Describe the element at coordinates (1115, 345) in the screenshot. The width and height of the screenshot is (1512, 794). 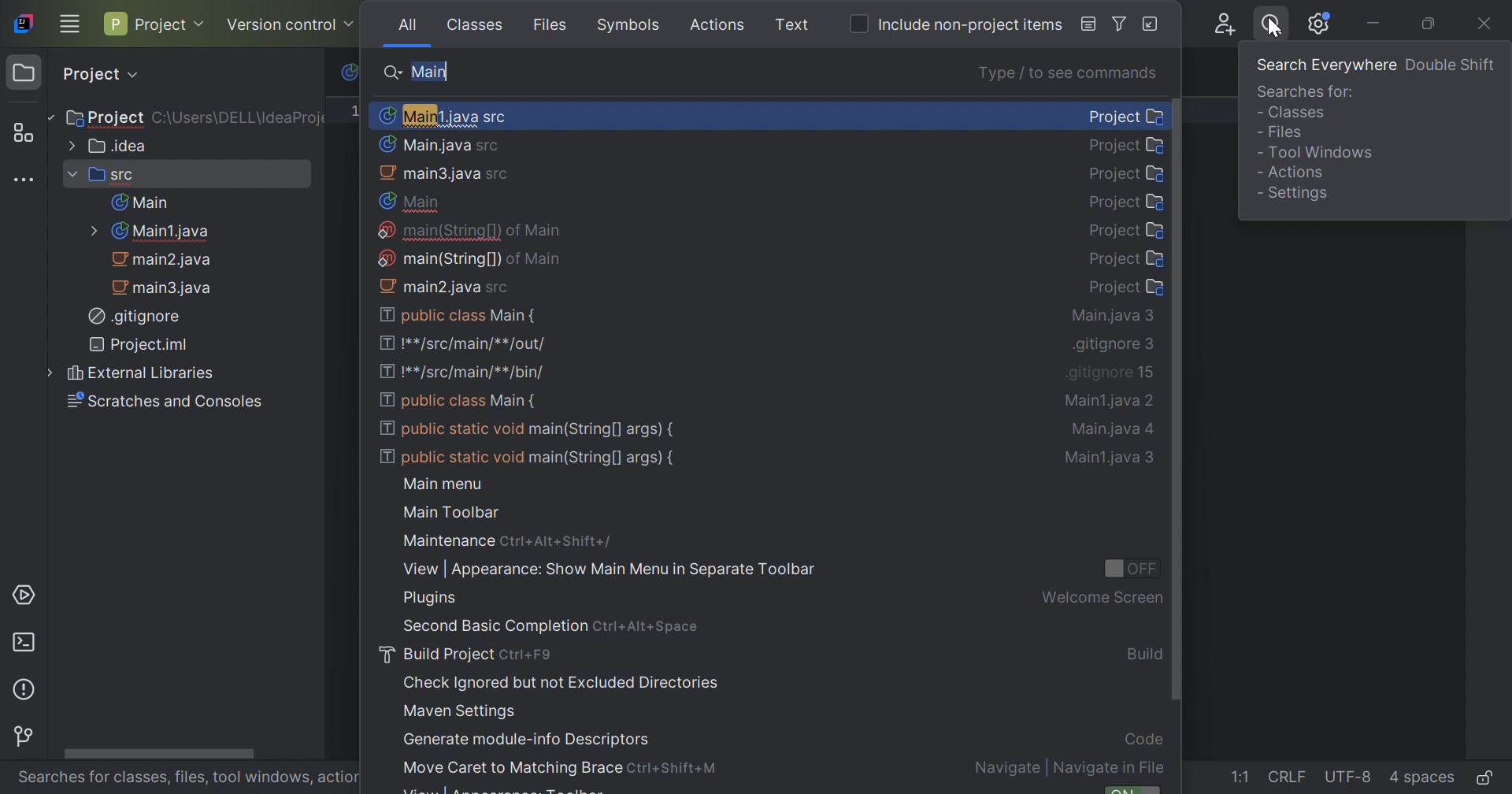
I see `.gitignore 3` at that location.